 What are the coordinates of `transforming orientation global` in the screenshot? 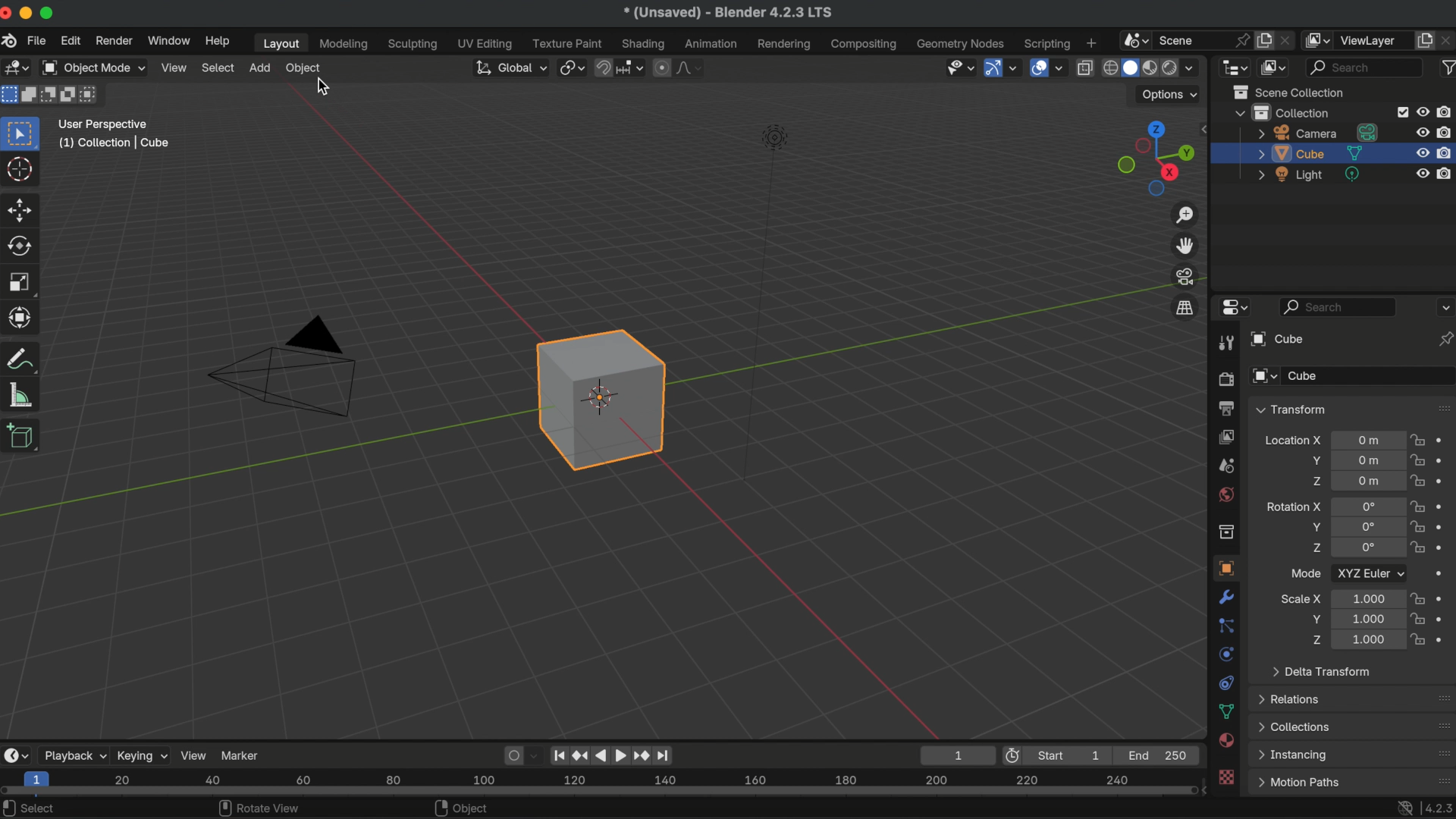 It's located at (509, 67).